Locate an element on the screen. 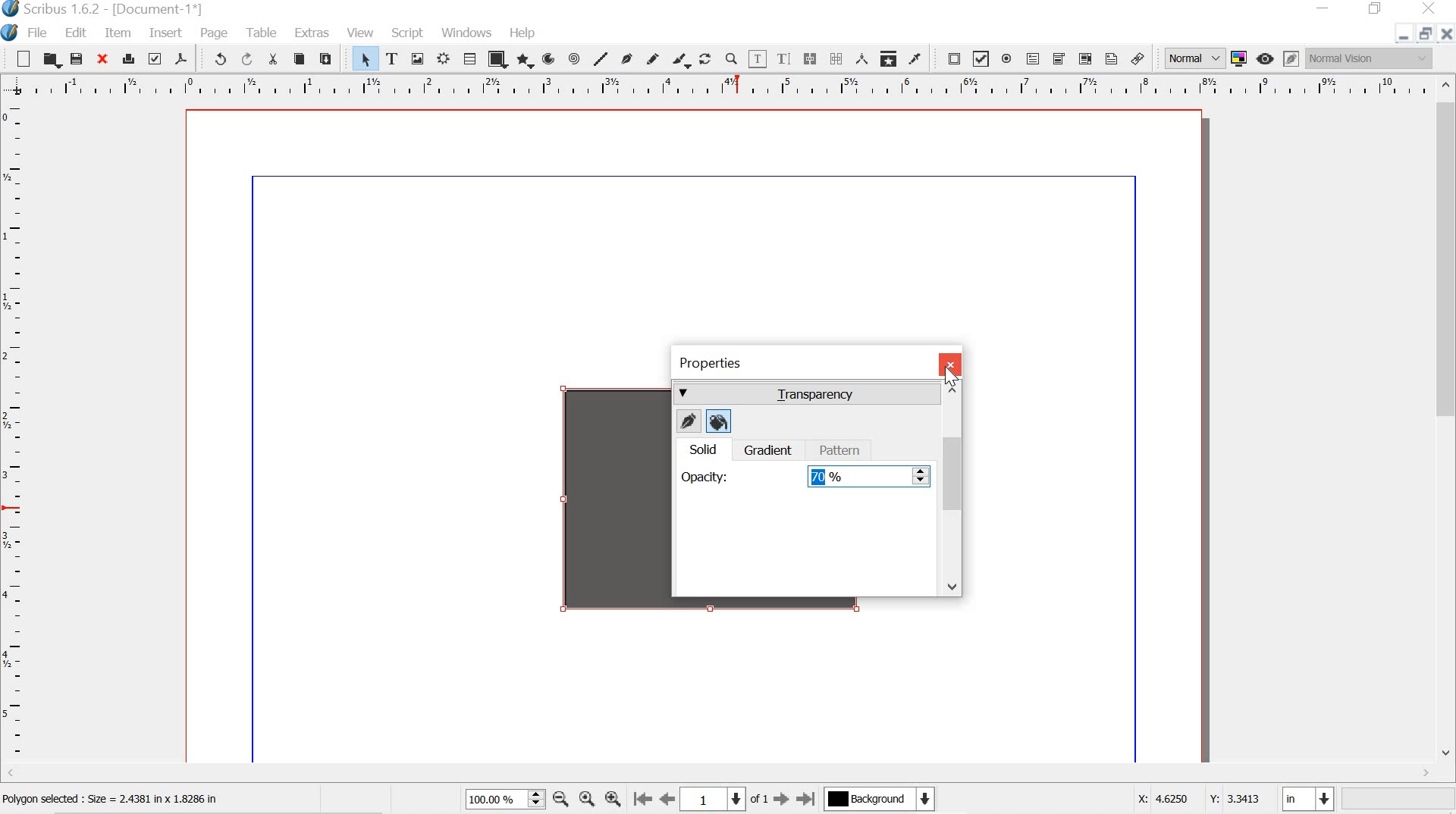 This screenshot has height=814, width=1456. zoom in is located at coordinates (611, 801).